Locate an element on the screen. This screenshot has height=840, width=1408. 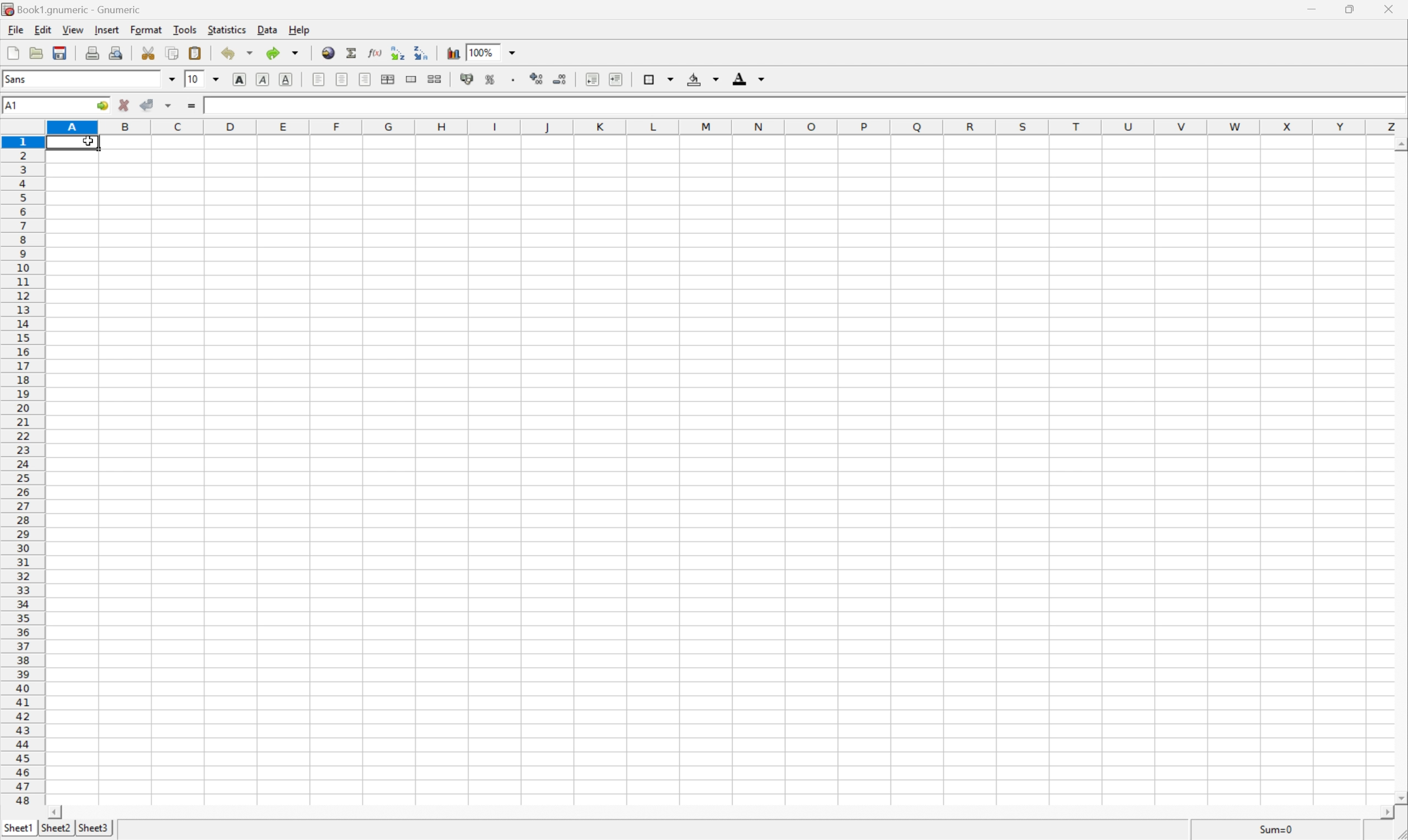
sum in current cell is located at coordinates (351, 52).